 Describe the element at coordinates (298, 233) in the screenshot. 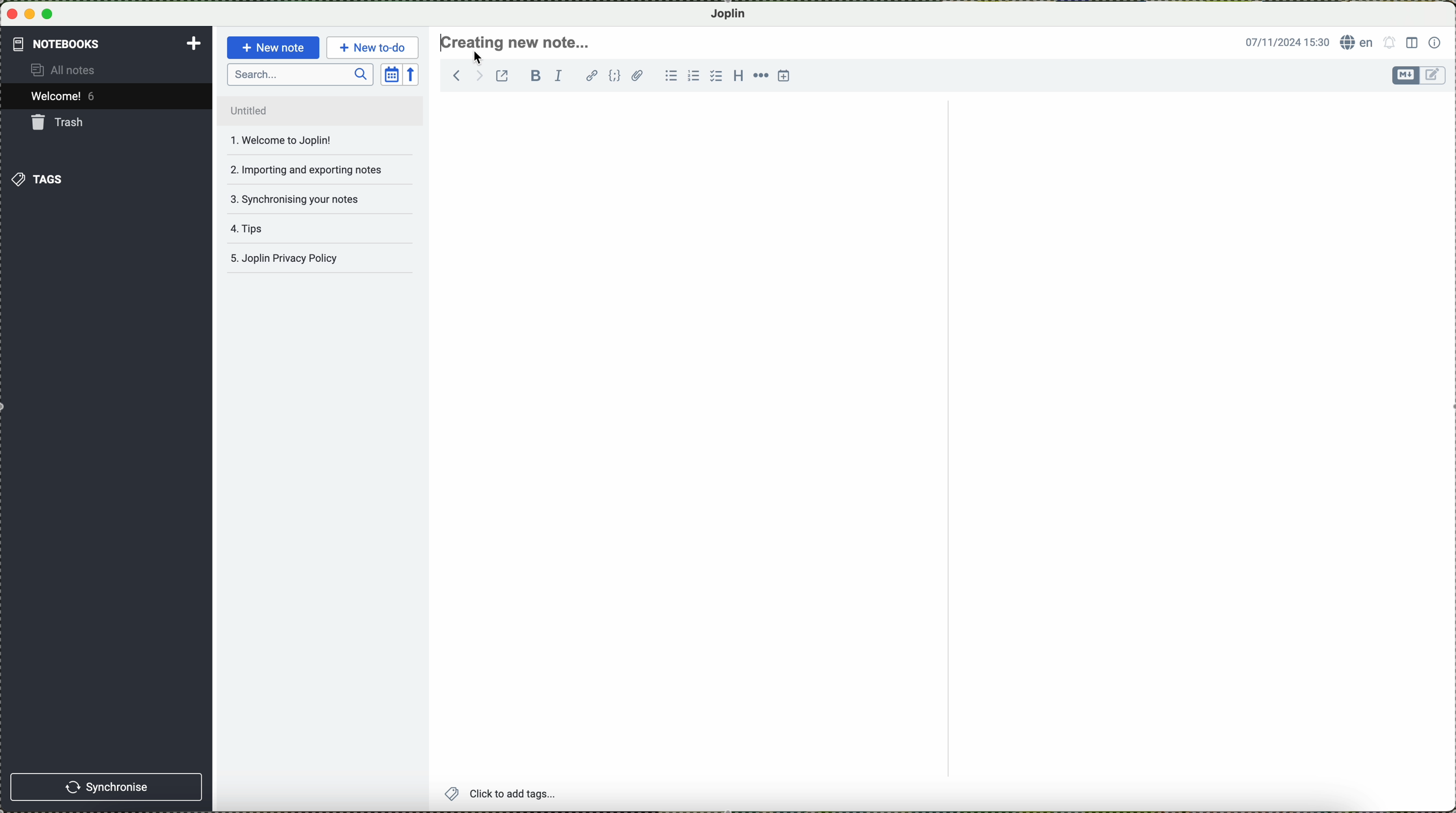

I see `tips` at that location.